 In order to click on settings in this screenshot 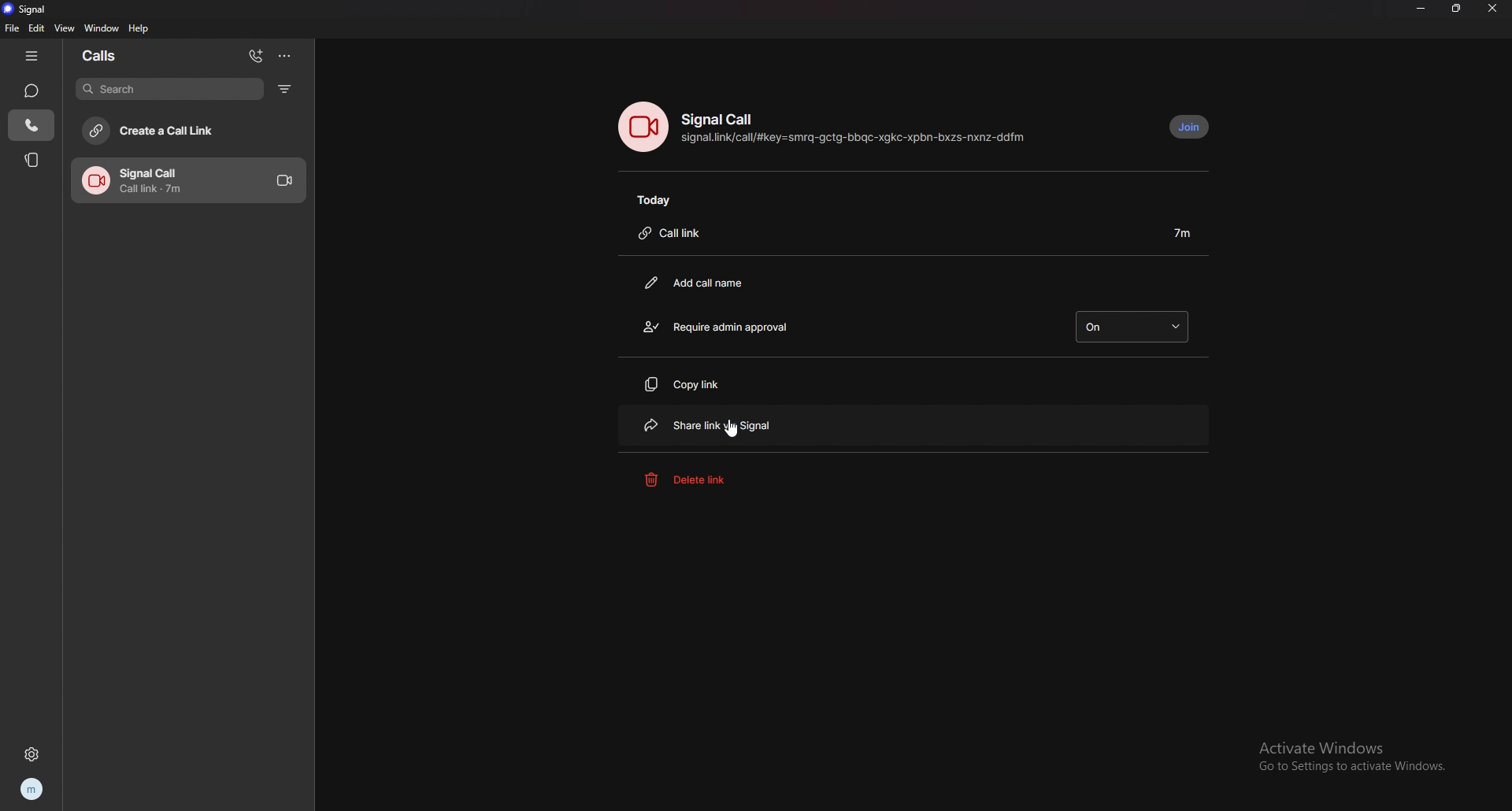, I will do `click(31, 754)`.